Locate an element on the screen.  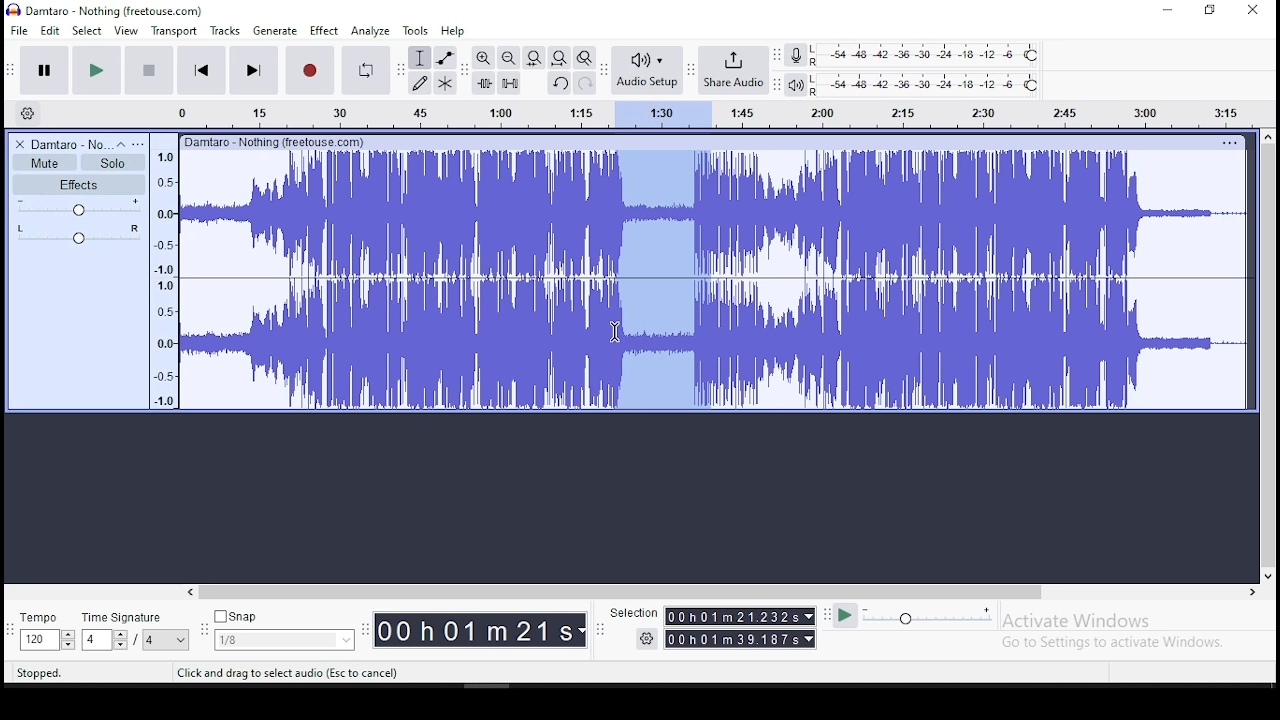
view is located at coordinates (126, 31).